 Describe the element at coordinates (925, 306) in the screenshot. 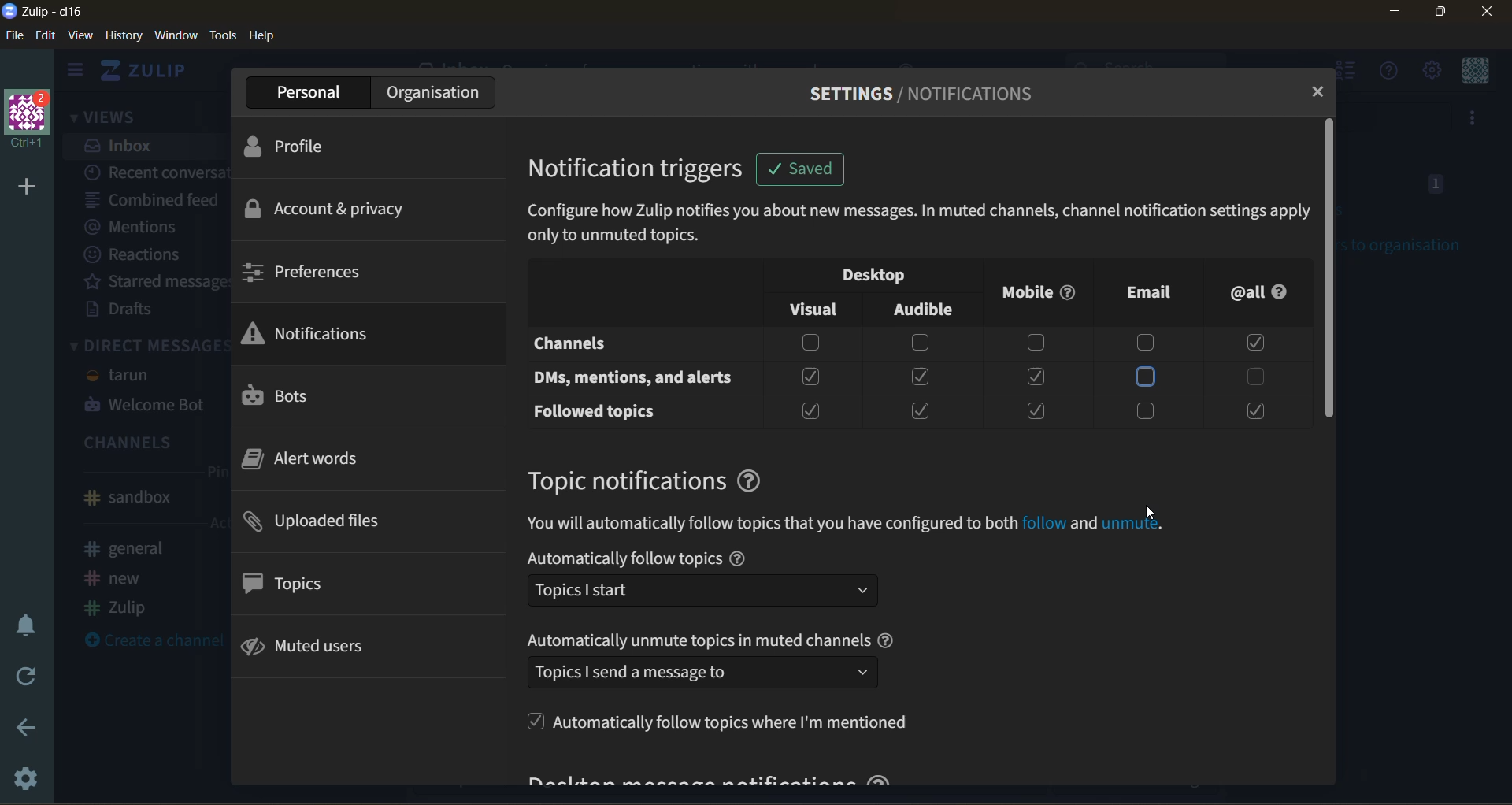

I see `audible` at that location.